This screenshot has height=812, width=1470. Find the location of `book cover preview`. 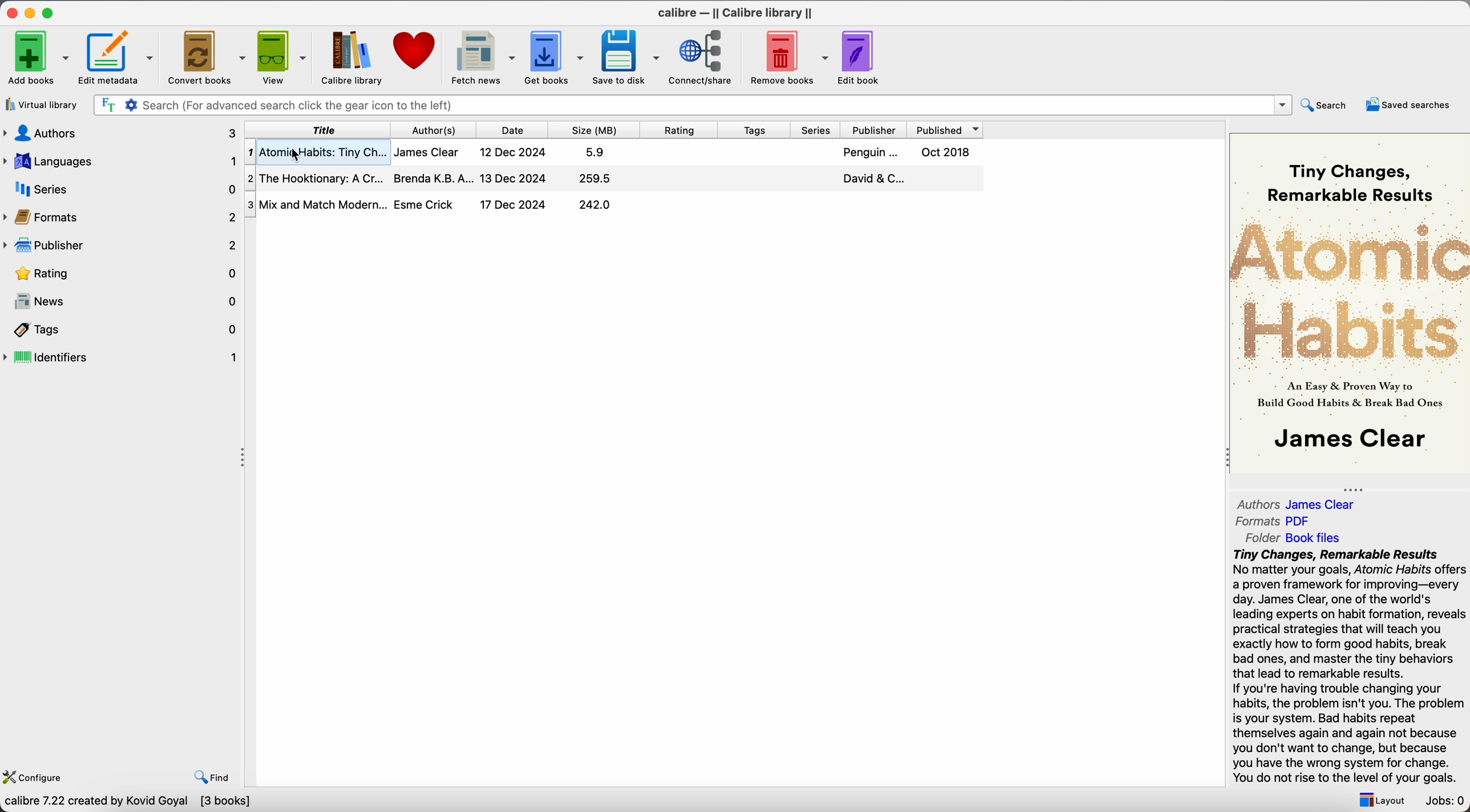

book cover preview is located at coordinates (1351, 304).